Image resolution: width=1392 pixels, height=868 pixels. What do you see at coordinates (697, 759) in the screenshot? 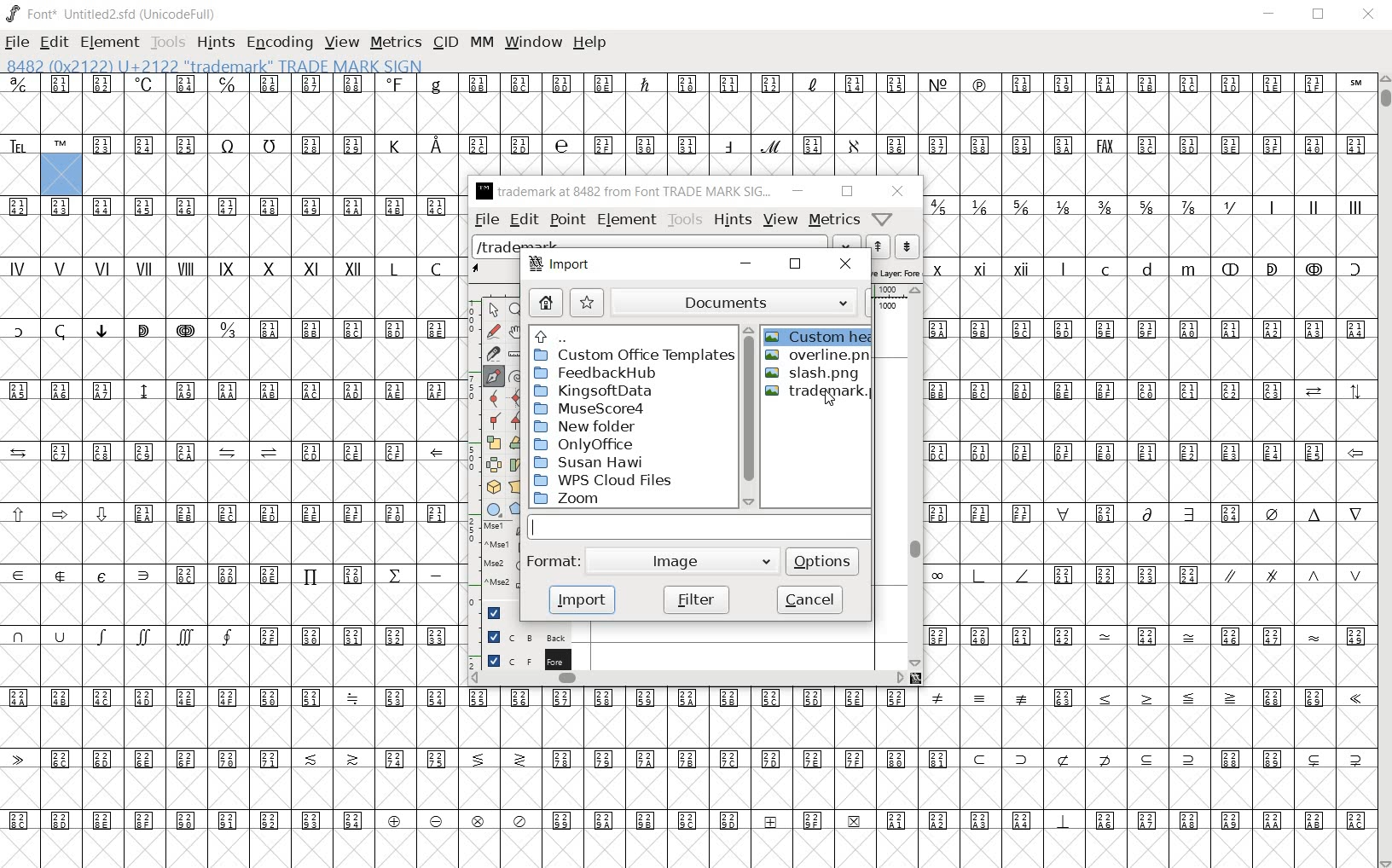
I see `symbols` at bounding box center [697, 759].